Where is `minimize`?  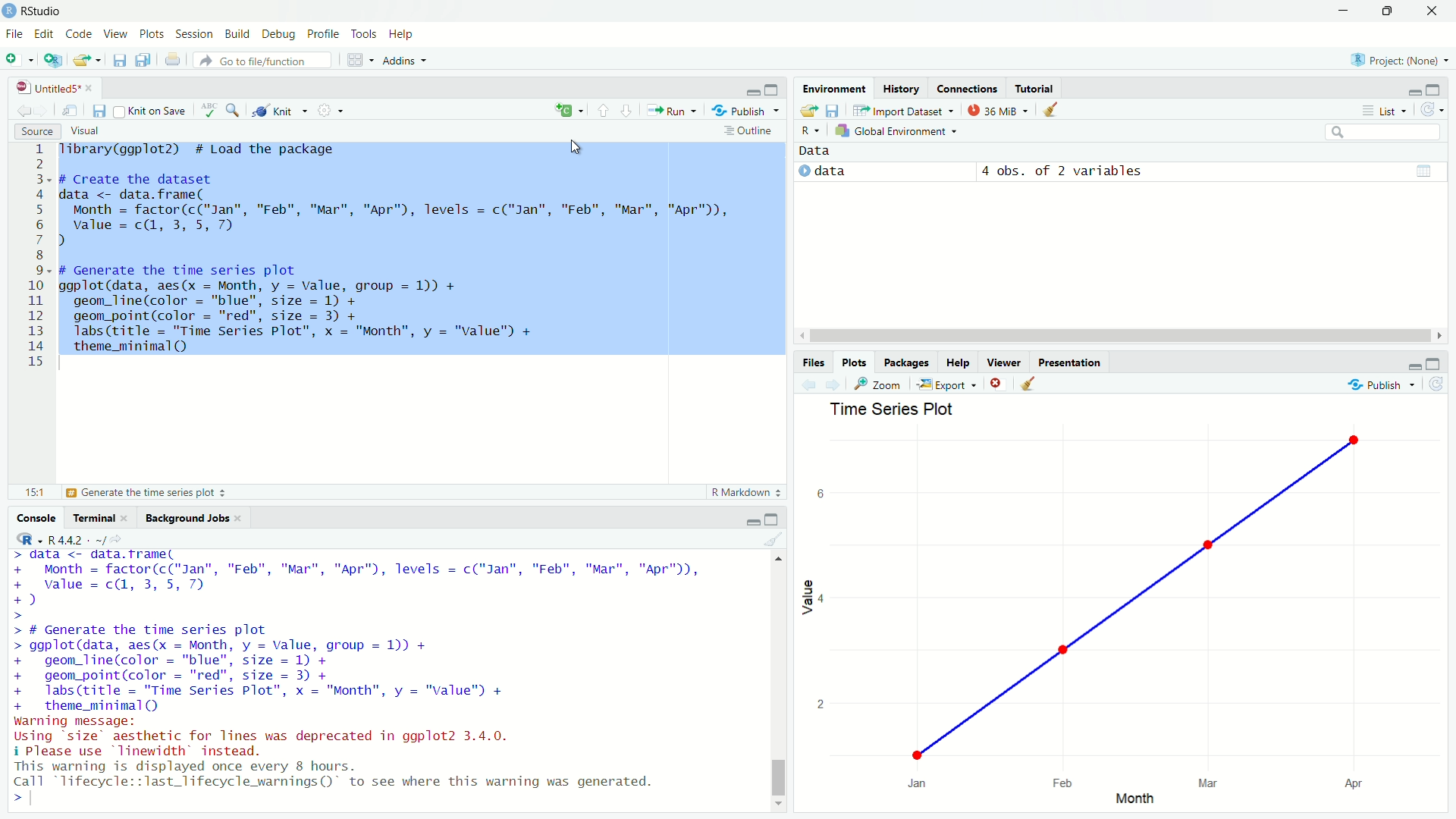
minimize is located at coordinates (748, 519).